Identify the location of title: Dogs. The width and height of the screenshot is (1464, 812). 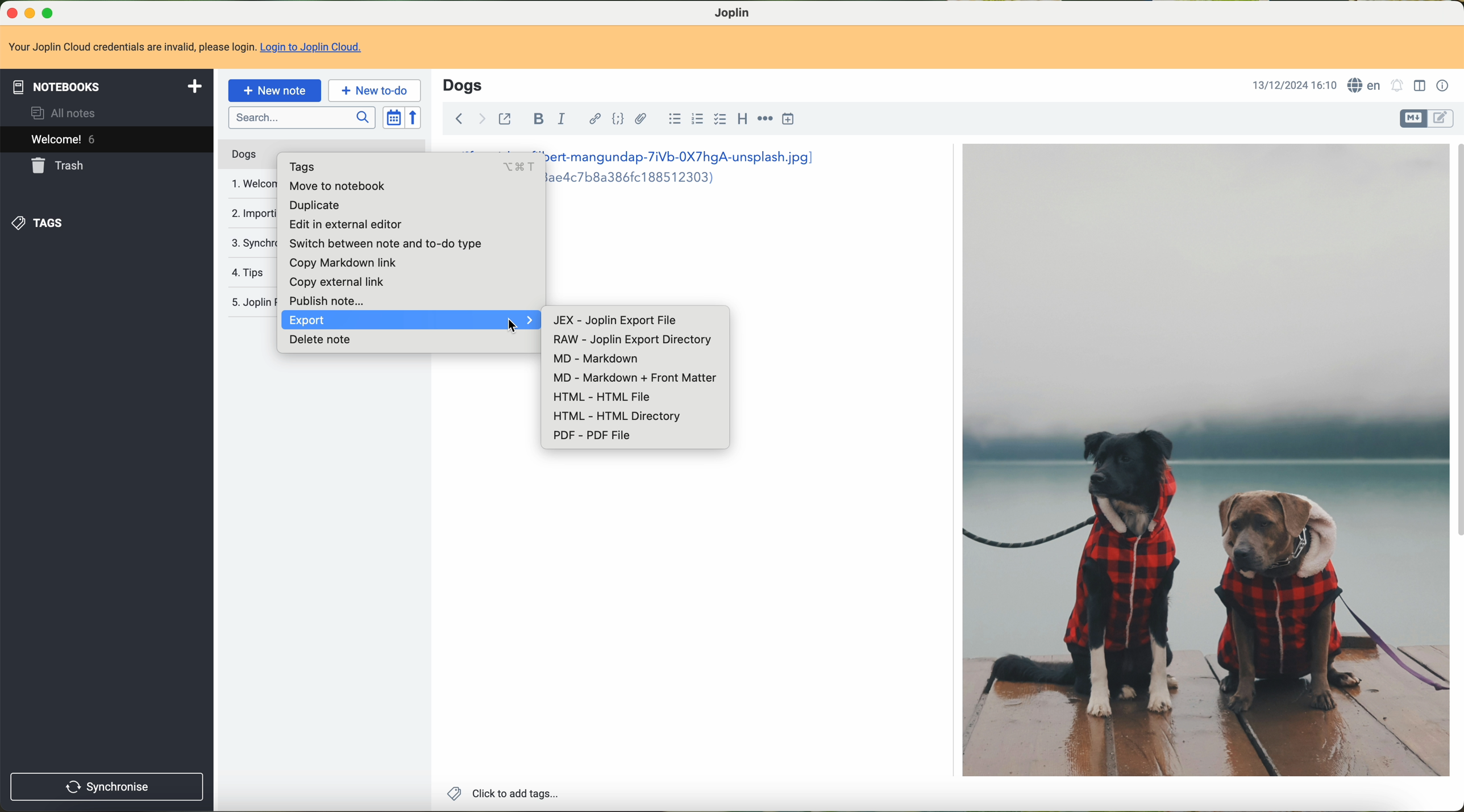
(463, 85).